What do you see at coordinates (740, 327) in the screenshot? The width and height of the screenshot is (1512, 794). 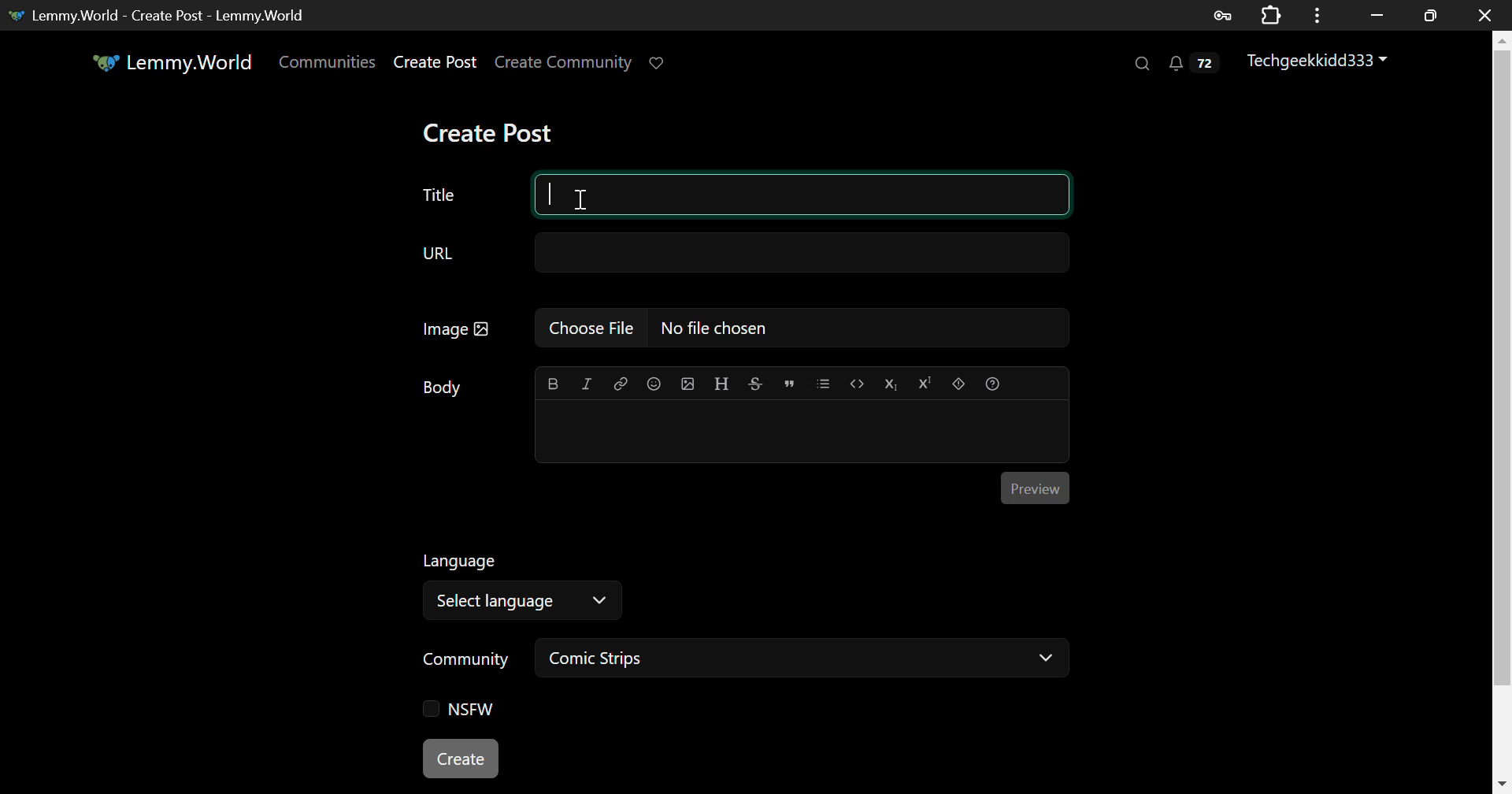 I see `Image Field` at bounding box center [740, 327].